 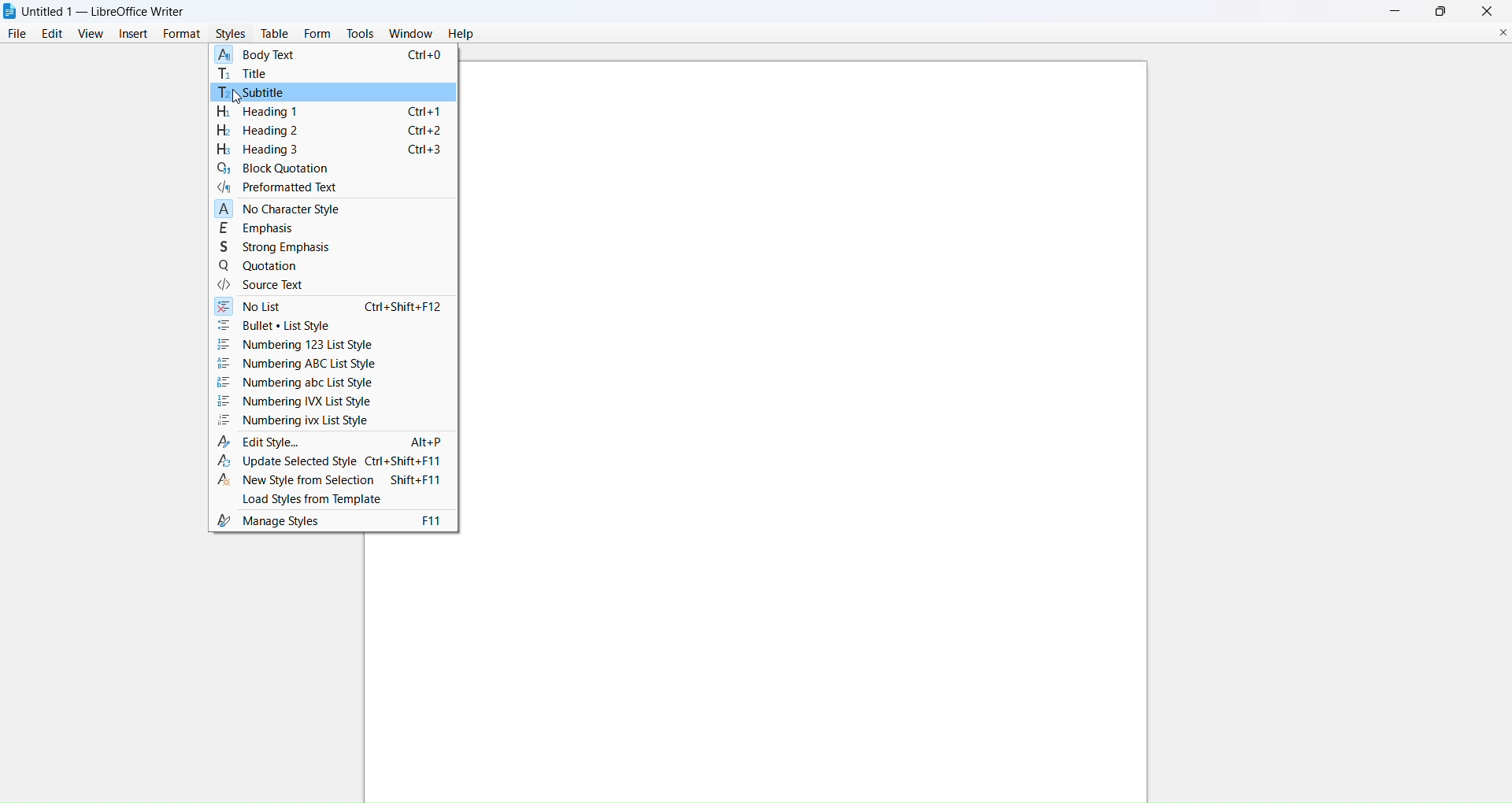 I want to click on no character style, so click(x=276, y=210).